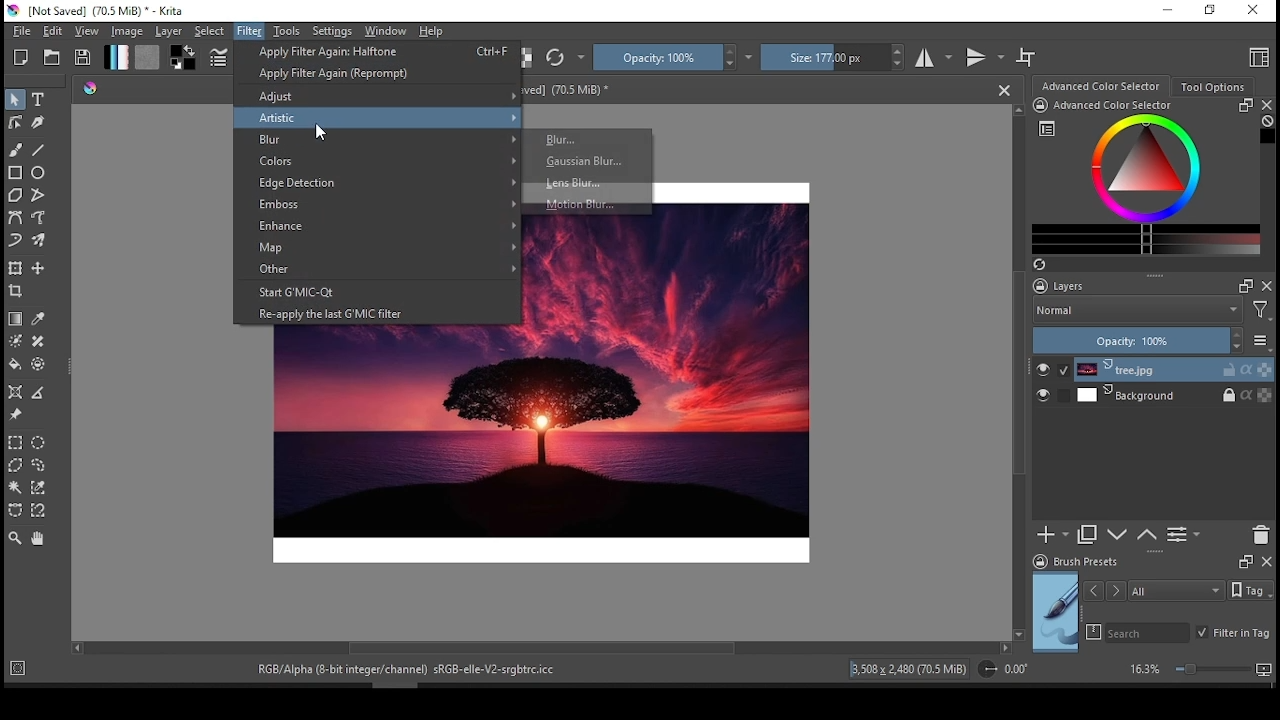 Image resolution: width=1280 pixels, height=720 pixels. What do you see at coordinates (39, 464) in the screenshot?
I see `freehand selection tool` at bounding box center [39, 464].